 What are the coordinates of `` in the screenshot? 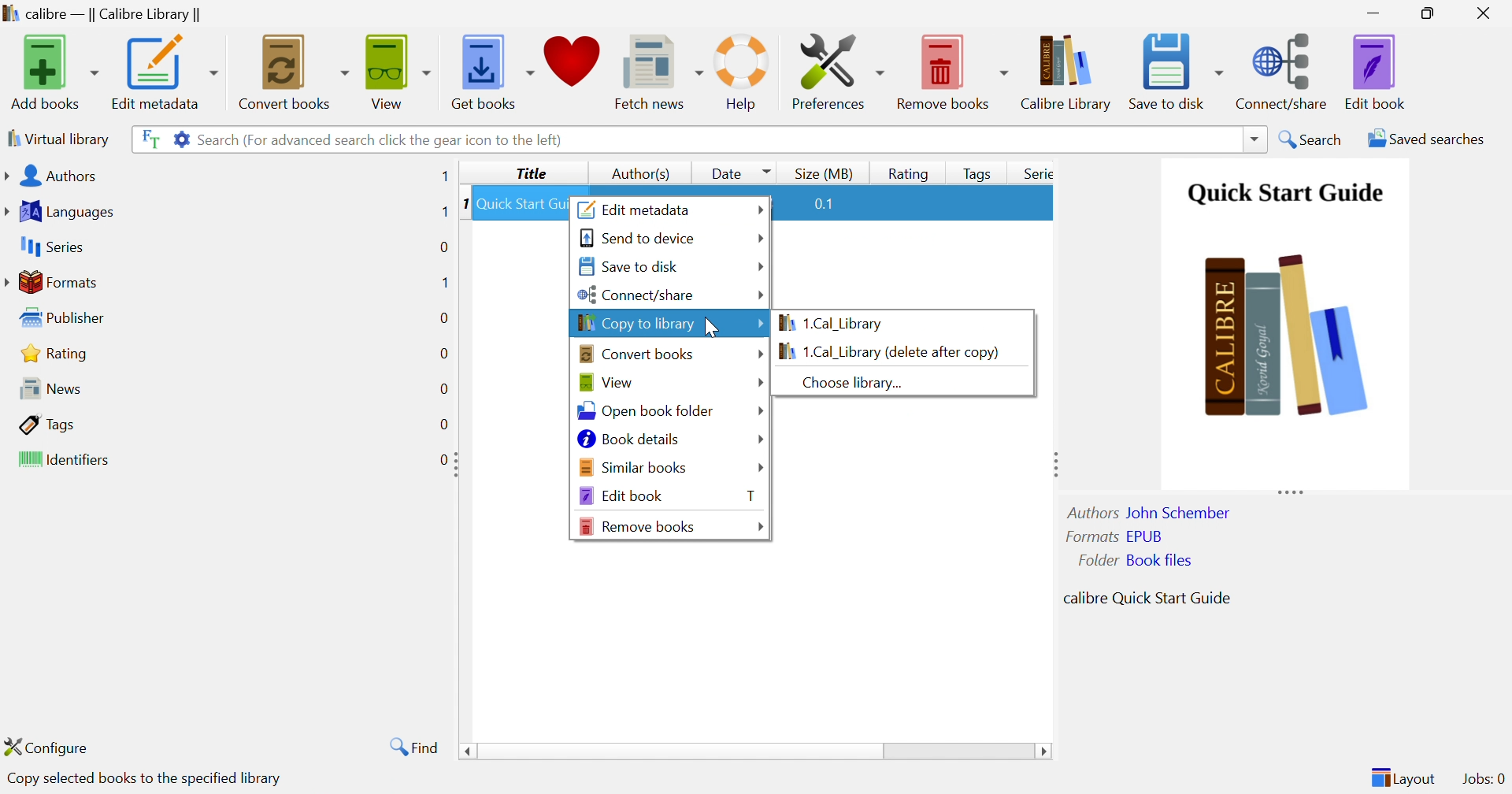 It's located at (910, 172).